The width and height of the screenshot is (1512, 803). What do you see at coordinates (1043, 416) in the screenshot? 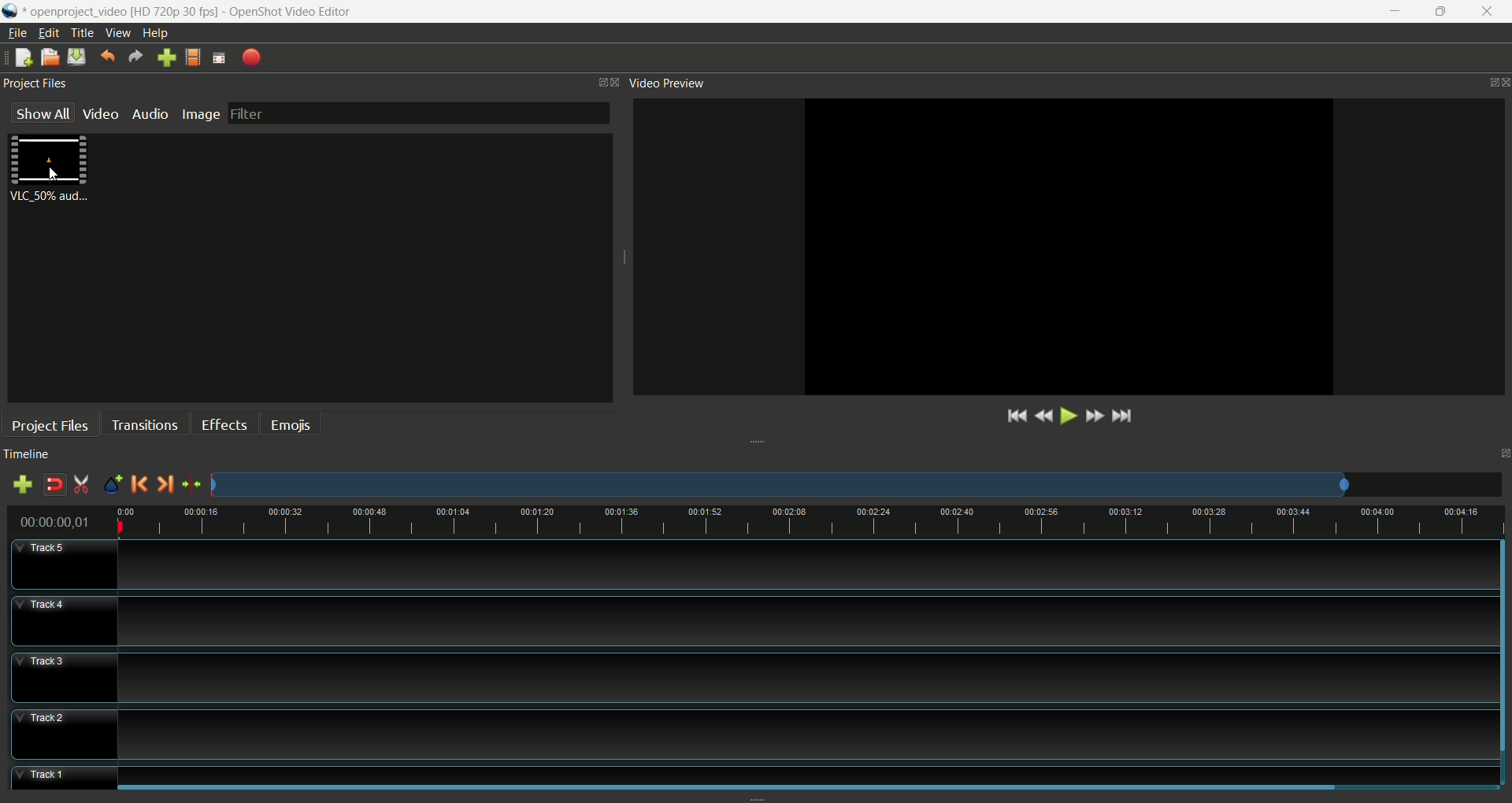
I see `rewind` at bounding box center [1043, 416].